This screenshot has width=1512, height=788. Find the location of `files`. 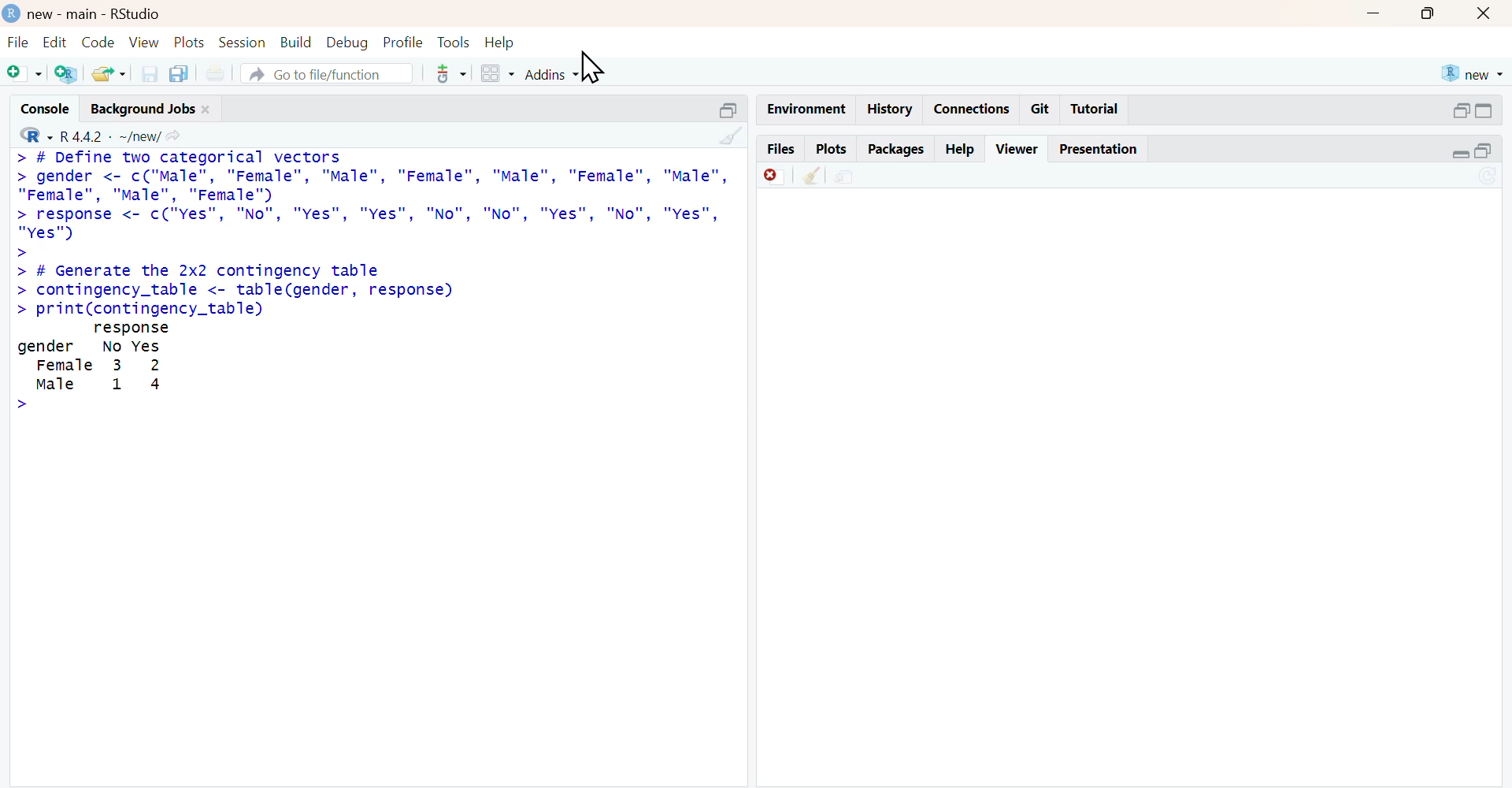

files is located at coordinates (781, 147).